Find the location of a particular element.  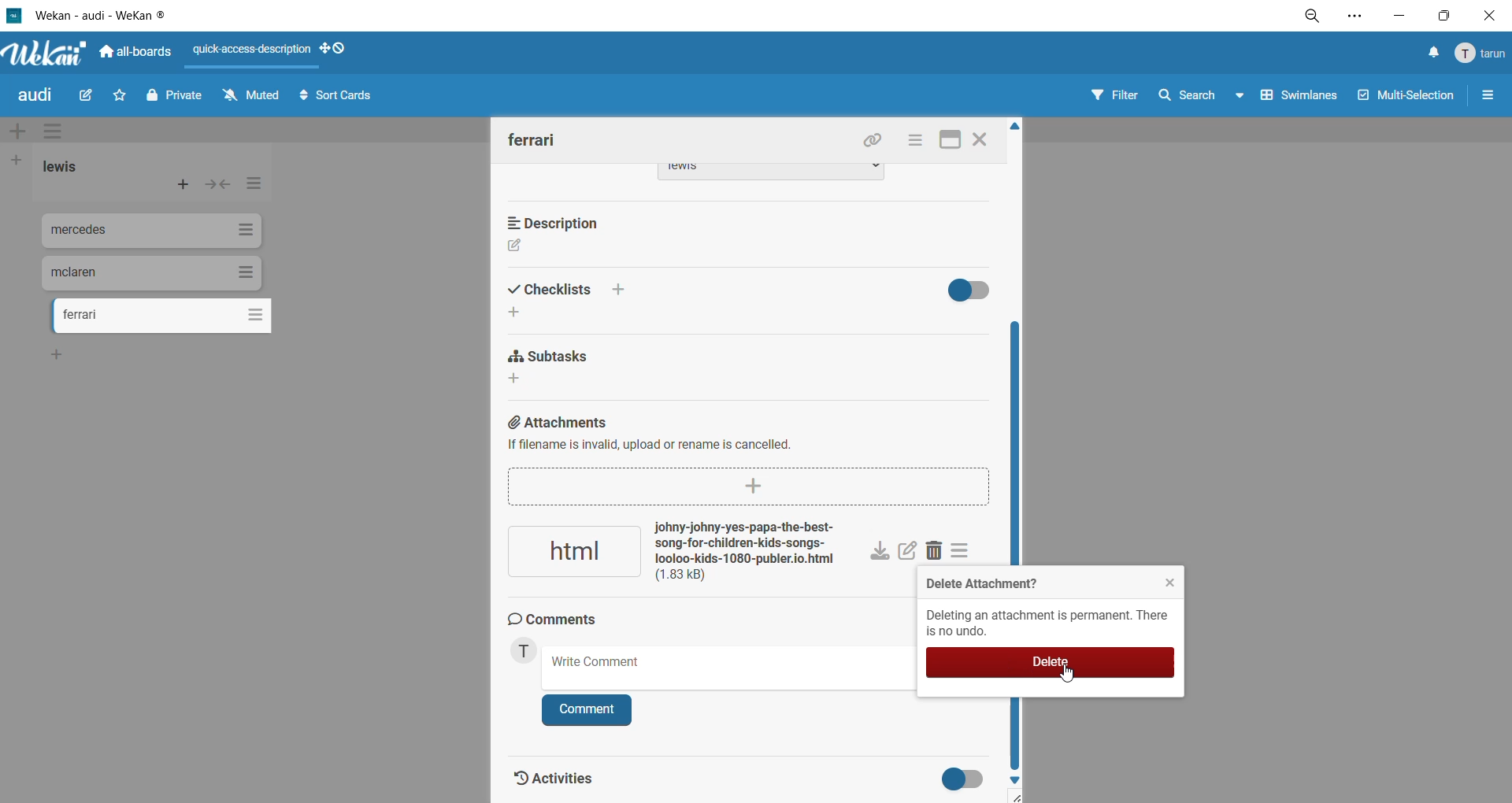

attachment is located at coordinates (681, 553).